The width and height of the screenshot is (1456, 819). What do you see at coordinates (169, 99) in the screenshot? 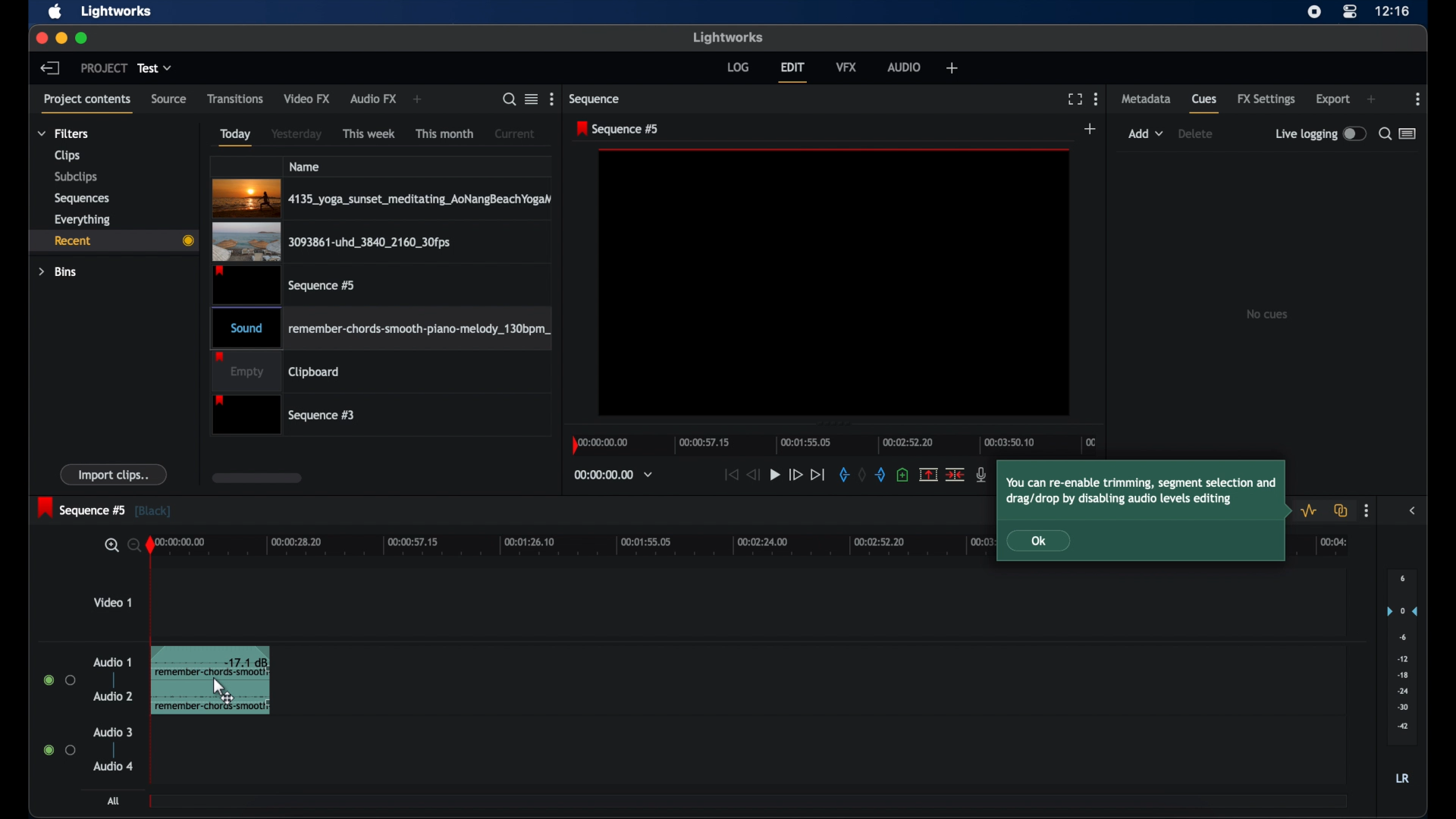
I see `source` at bounding box center [169, 99].